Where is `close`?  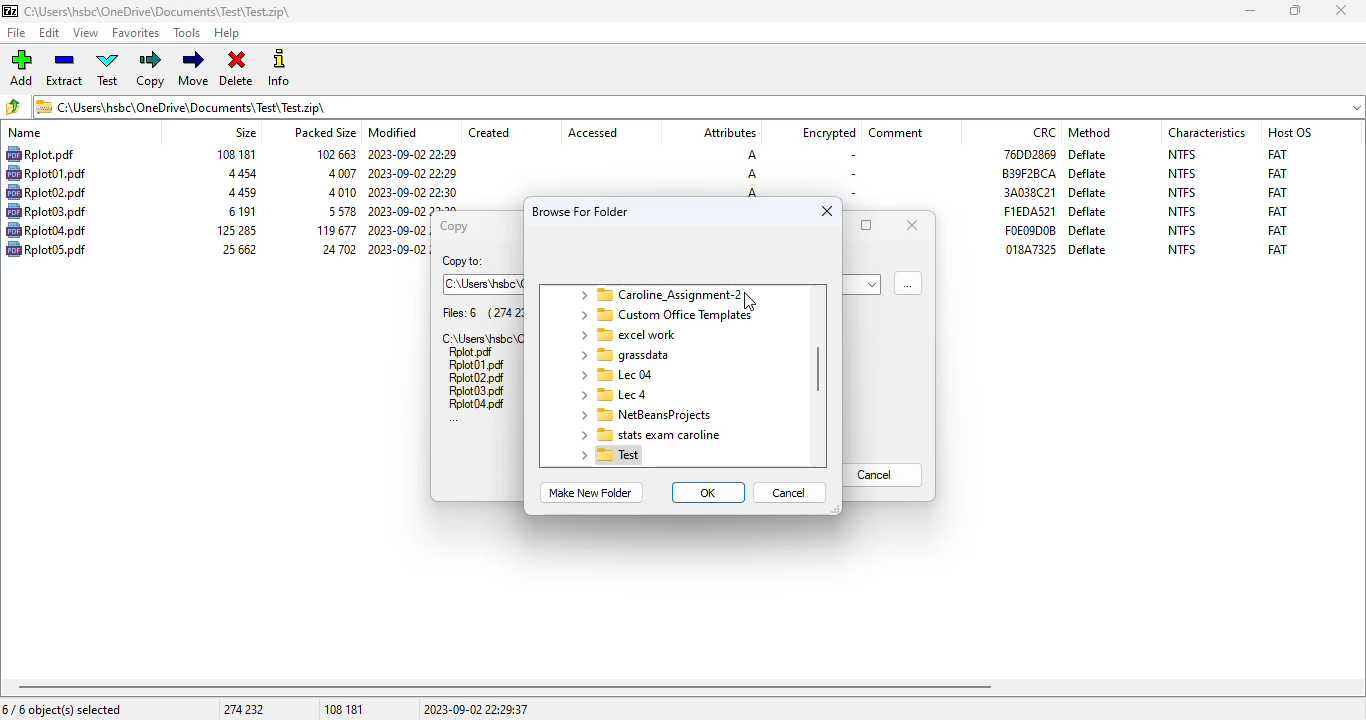 close is located at coordinates (912, 224).